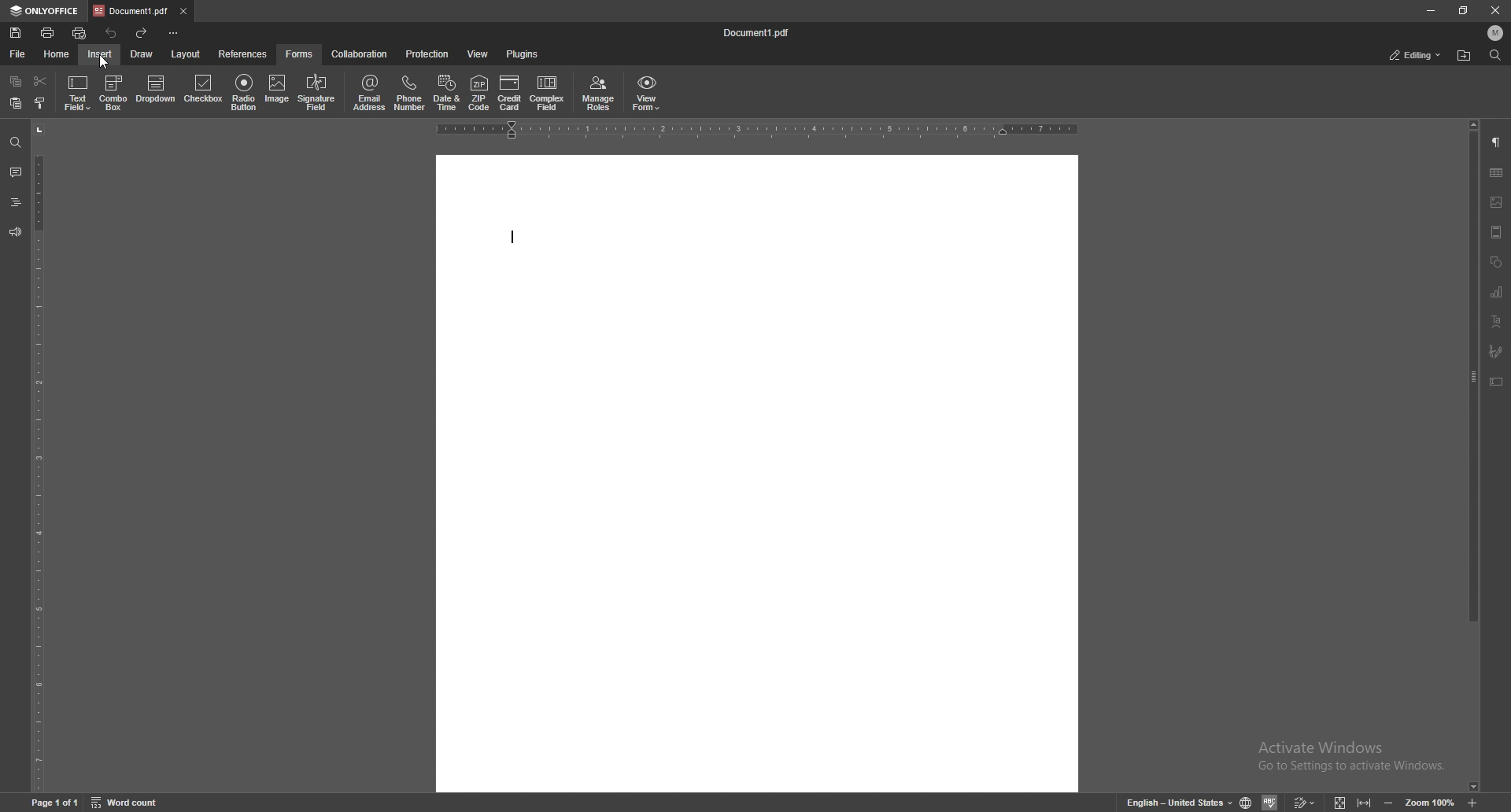  What do you see at coordinates (1303, 801) in the screenshot?
I see `track changes` at bounding box center [1303, 801].